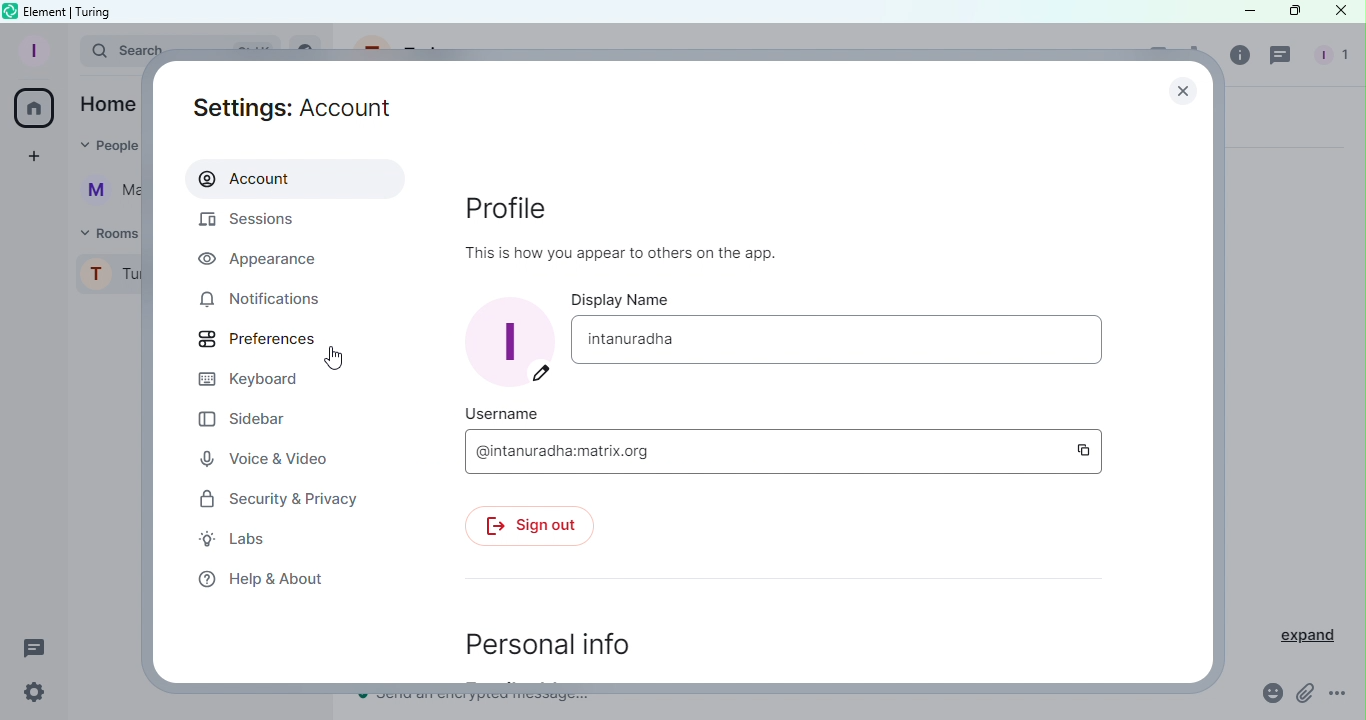 The image size is (1366, 720). I want to click on turing, so click(96, 11).